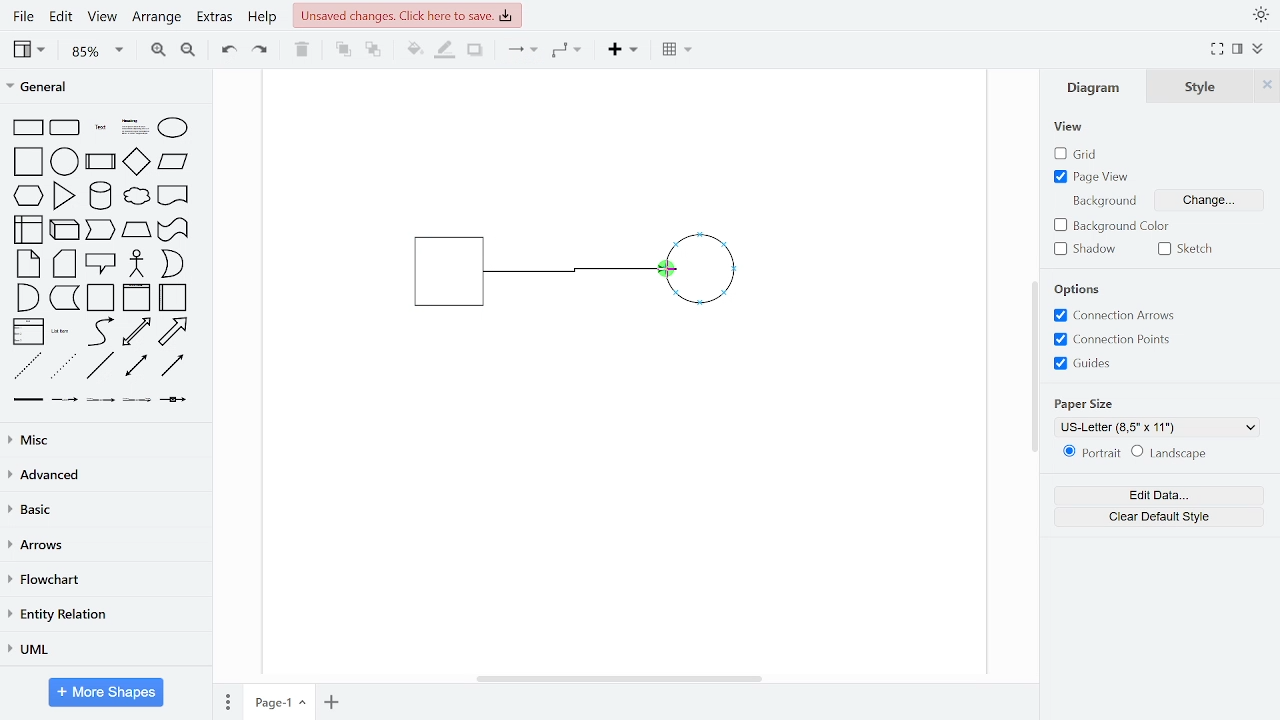  Describe the element at coordinates (30, 231) in the screenshot. I see `internal storage` at that location.